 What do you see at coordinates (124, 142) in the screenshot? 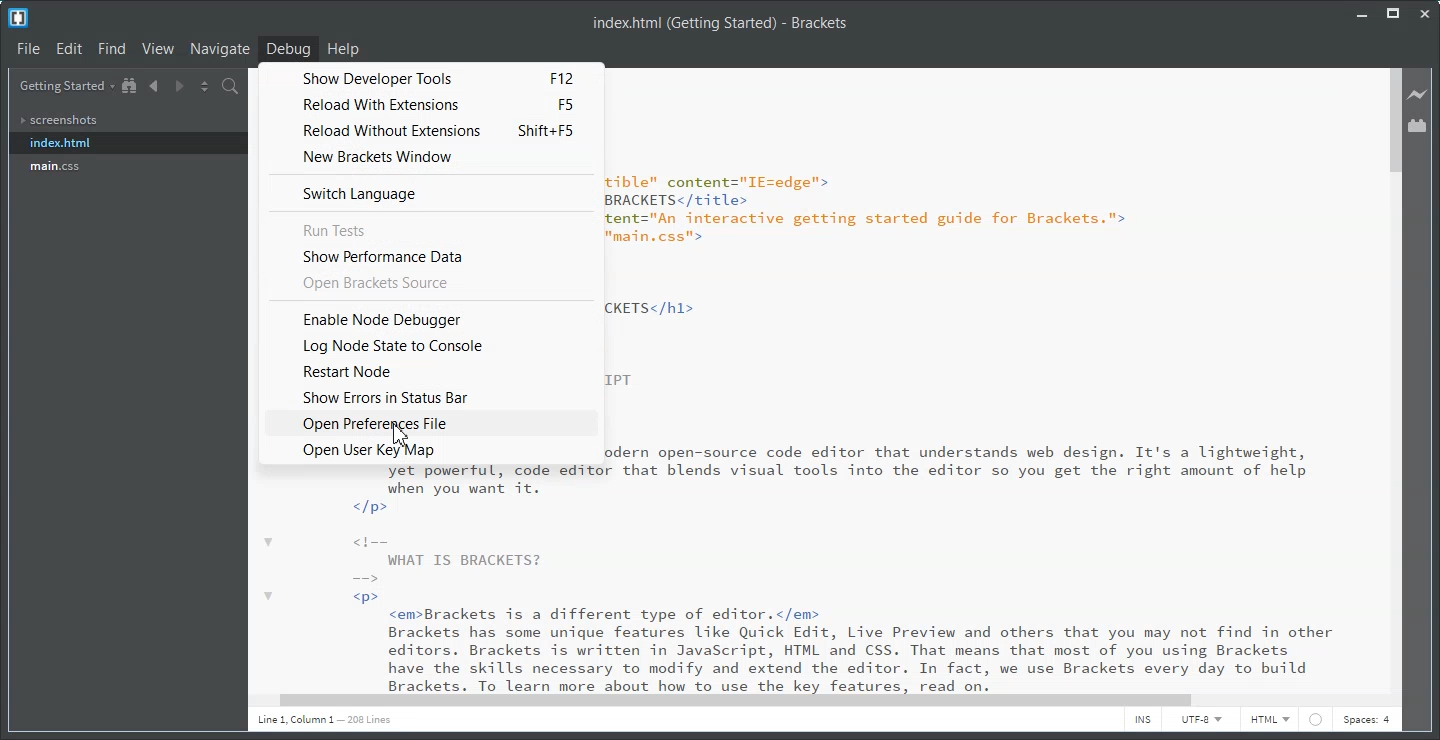
I see `index.html` at bounding box center [124, 142].